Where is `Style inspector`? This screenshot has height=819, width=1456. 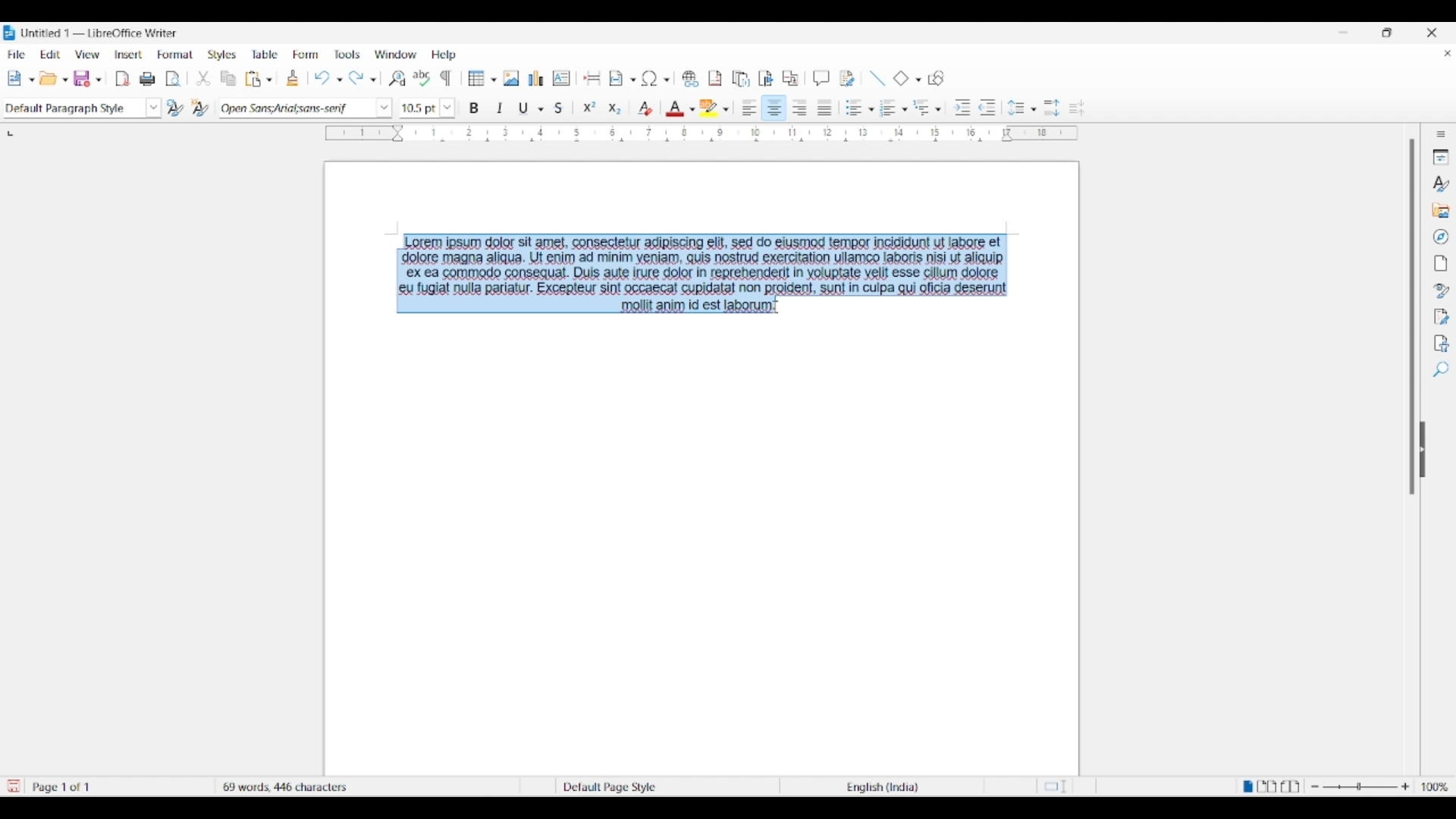
Style inspector is located at coordinates (1441, 291).